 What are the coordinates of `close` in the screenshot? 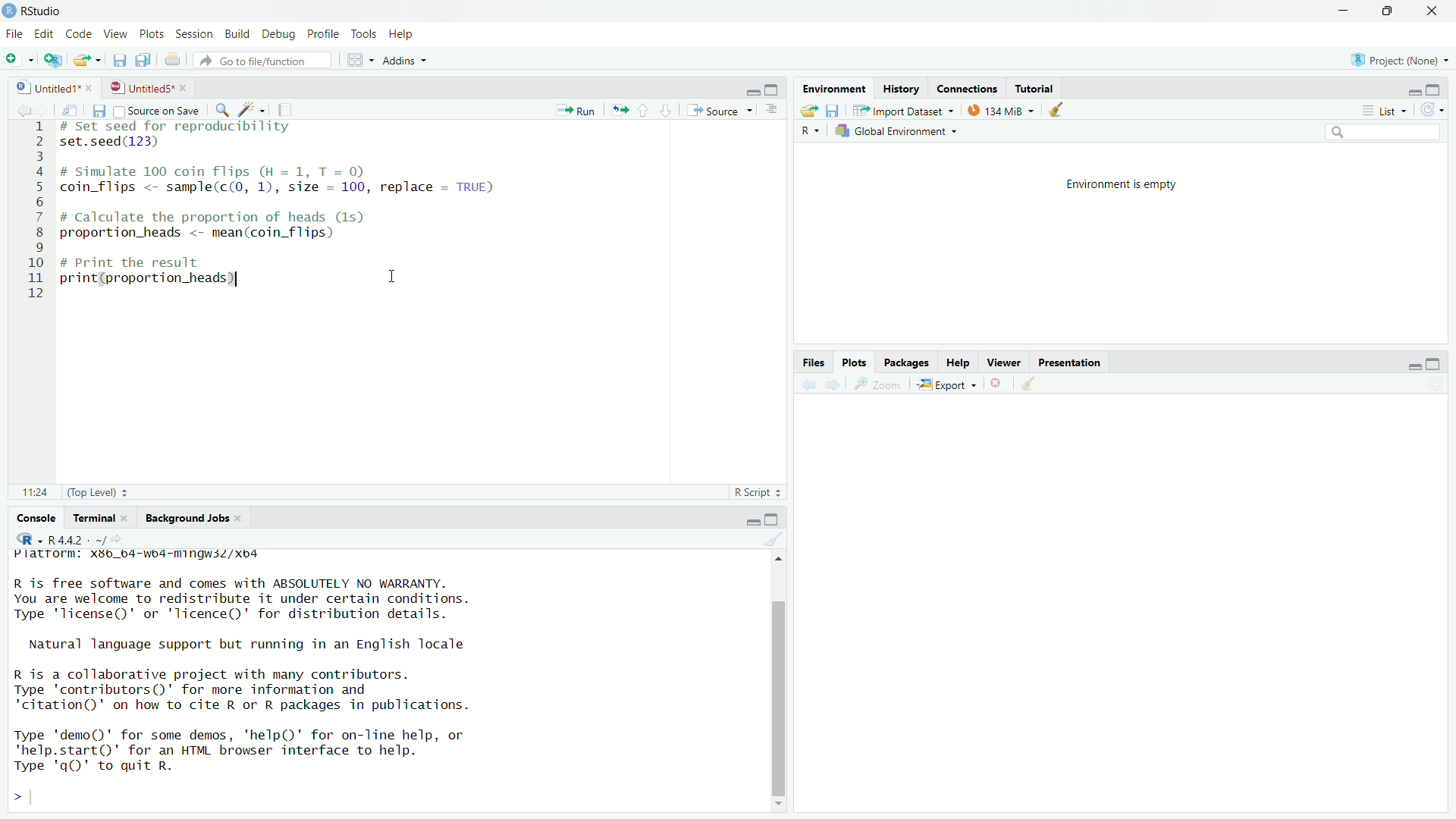 It's located at (90, 86).